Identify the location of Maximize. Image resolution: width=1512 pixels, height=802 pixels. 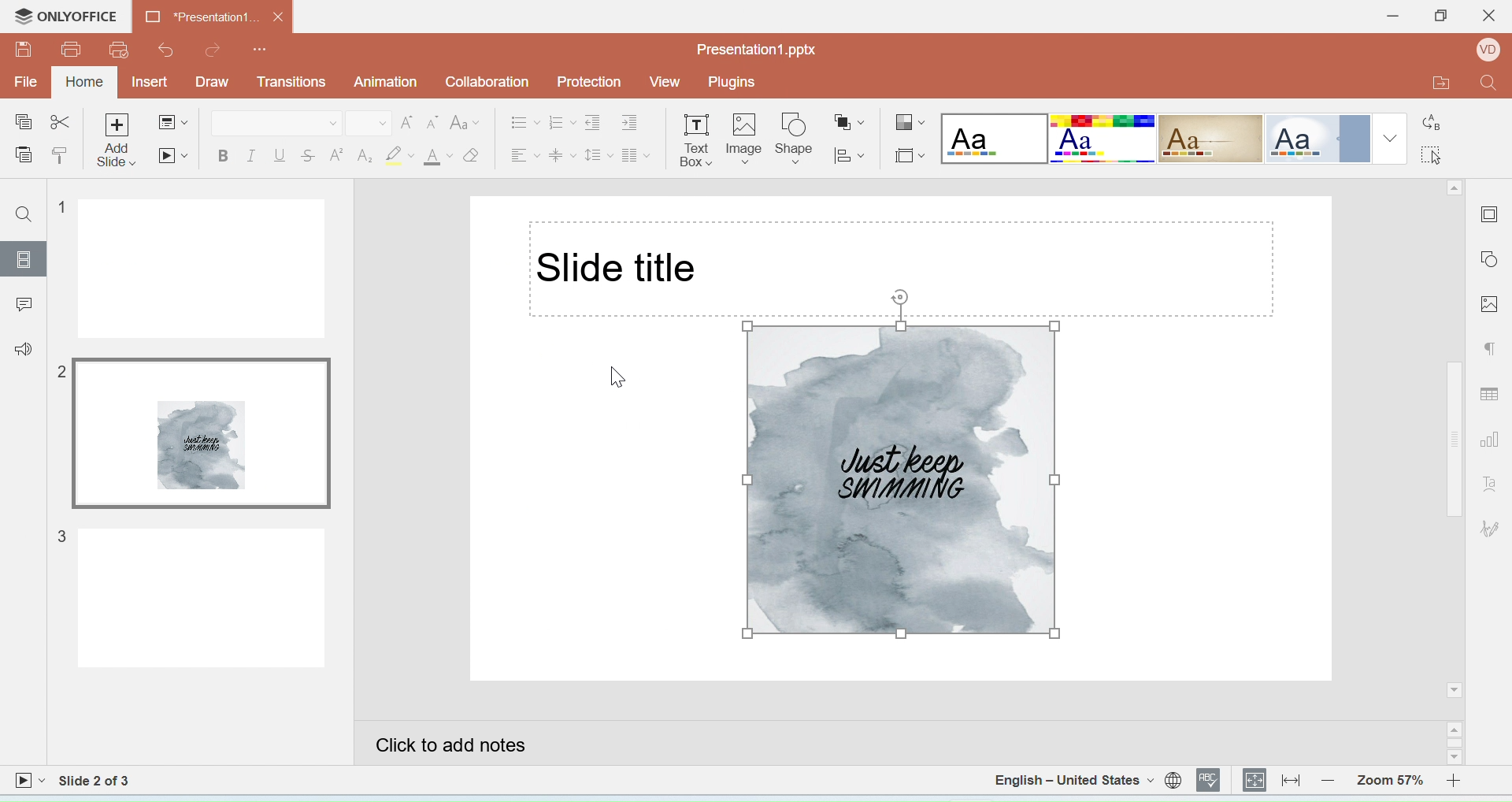
(1440, 18).